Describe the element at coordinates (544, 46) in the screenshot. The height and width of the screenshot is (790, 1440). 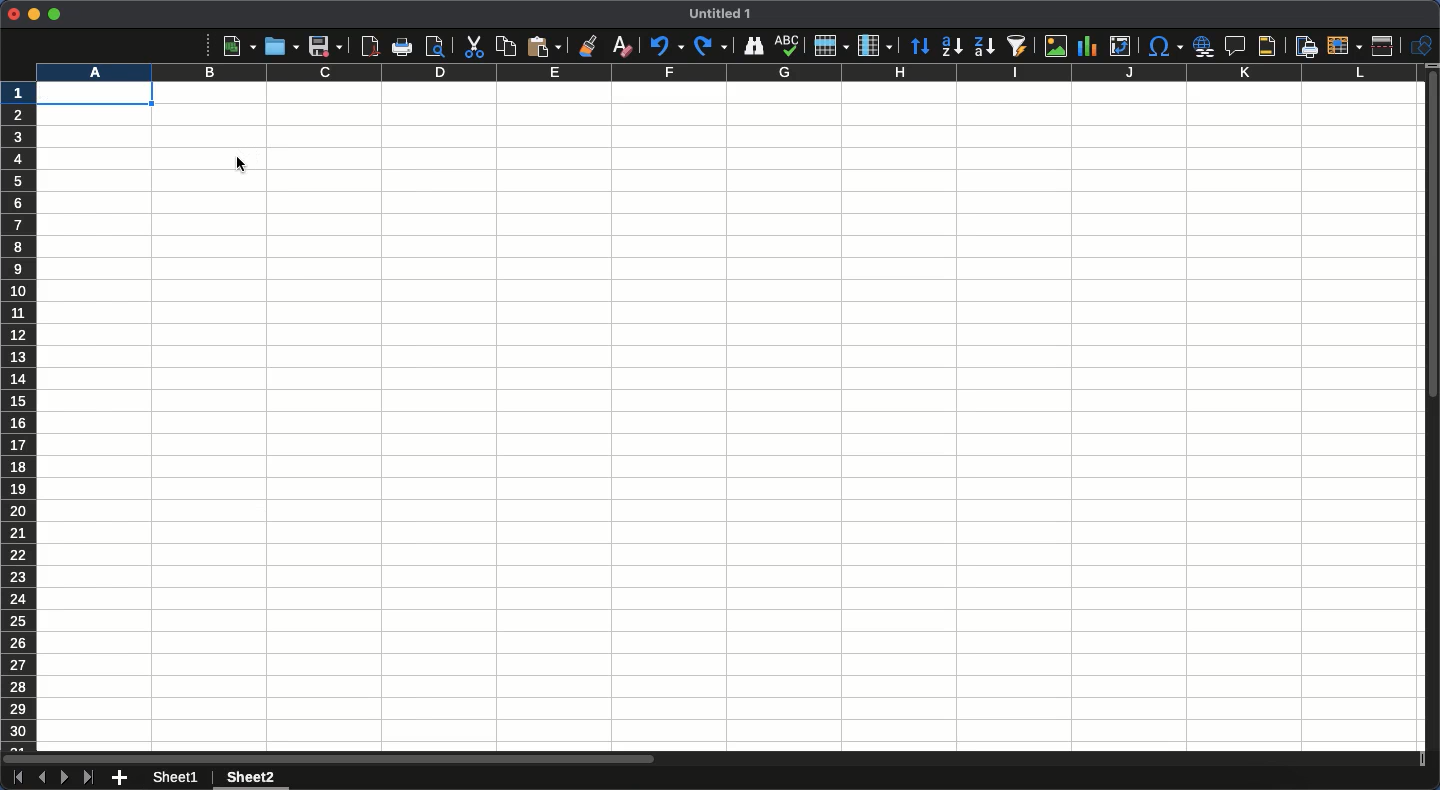
I see `Paste` at that location.